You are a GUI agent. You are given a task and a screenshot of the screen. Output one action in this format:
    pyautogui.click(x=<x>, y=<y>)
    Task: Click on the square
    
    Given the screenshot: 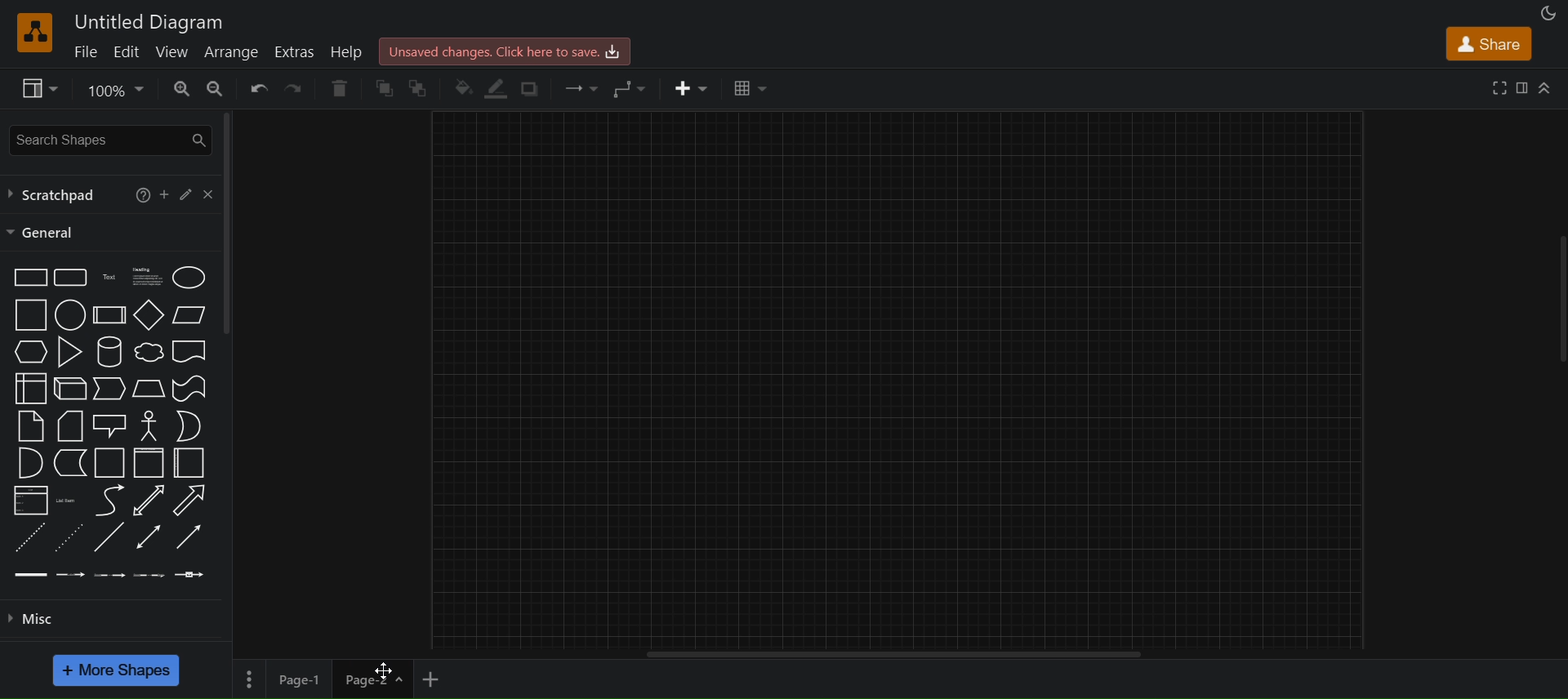 What is the action you would take?
    pyautogui.click(x=29, y=315)
    